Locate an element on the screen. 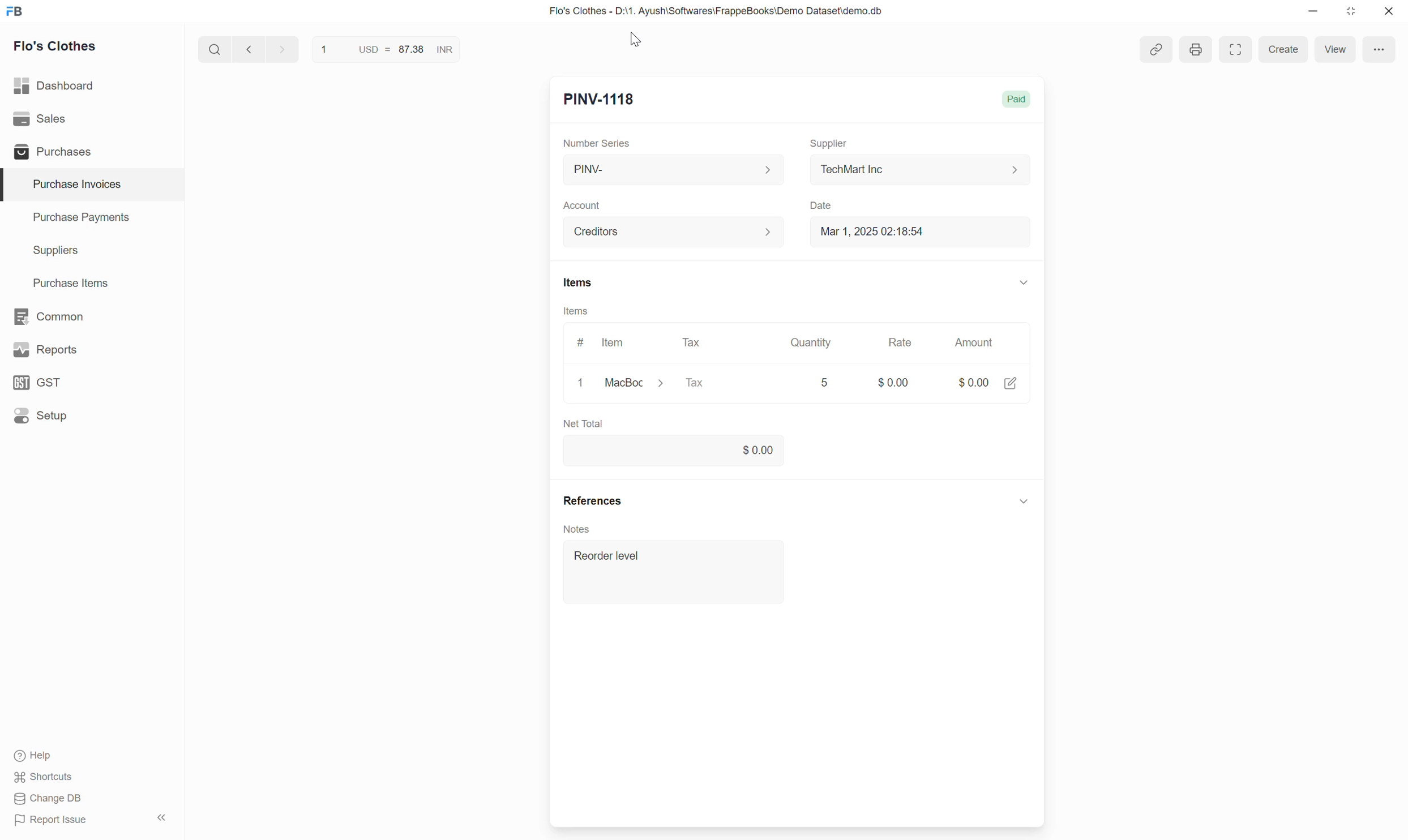 This screenshot has height=840, width=1408. Report Issue is located at coordinates (52, 820).